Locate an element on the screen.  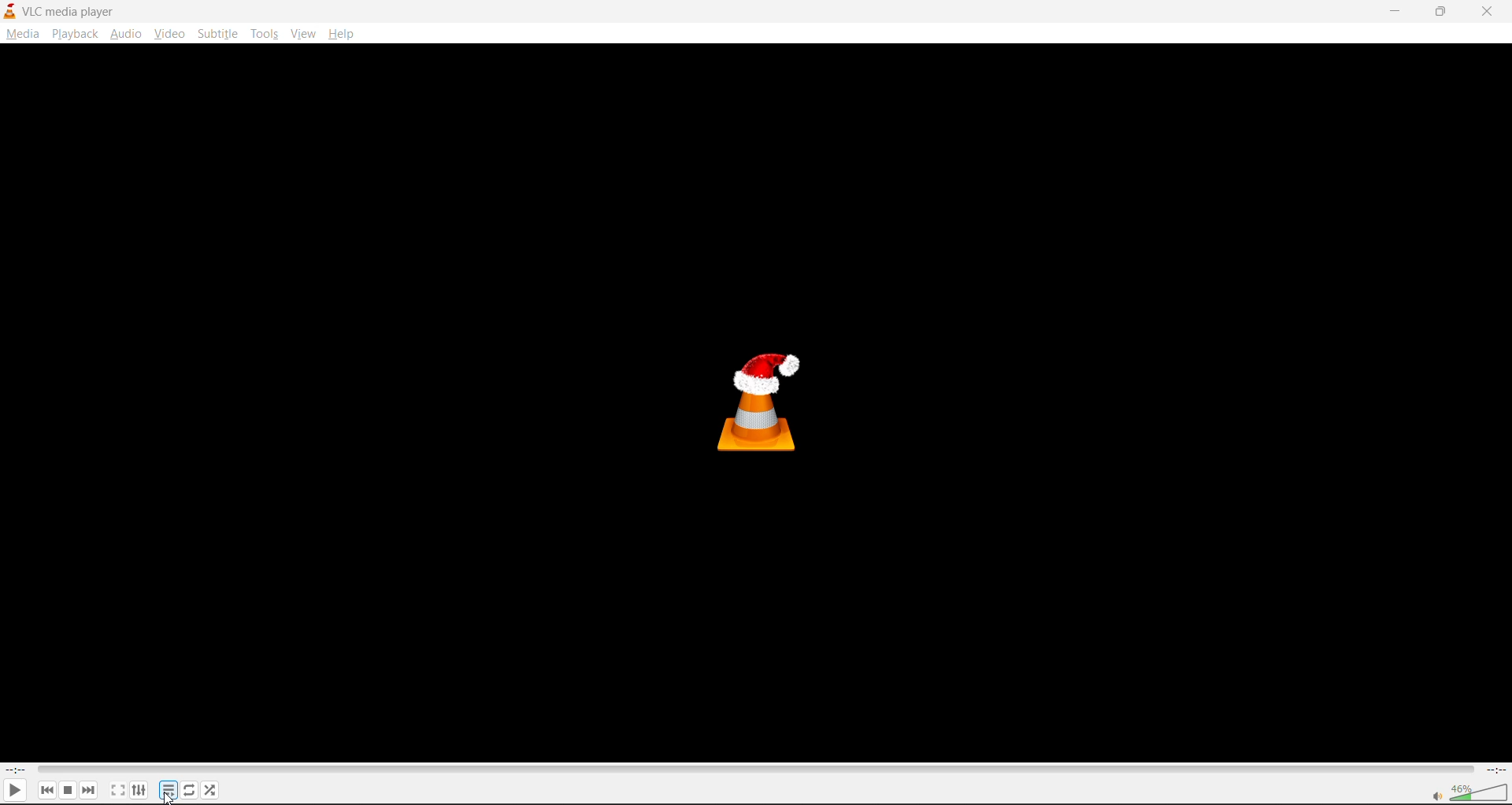
video is located at coordinates (172, 33).